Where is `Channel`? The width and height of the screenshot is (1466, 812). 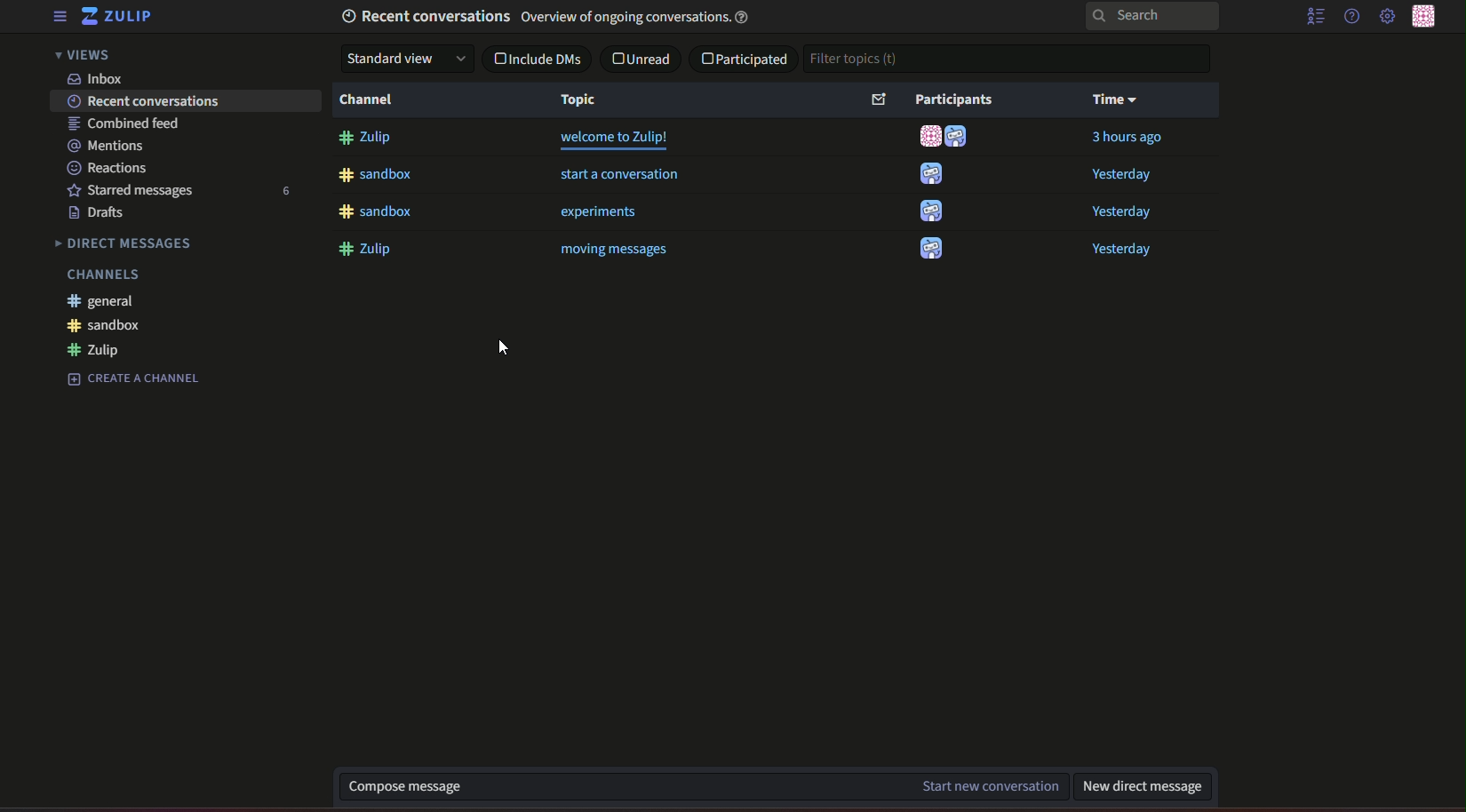
Channel is located at coordinates (370, 102).